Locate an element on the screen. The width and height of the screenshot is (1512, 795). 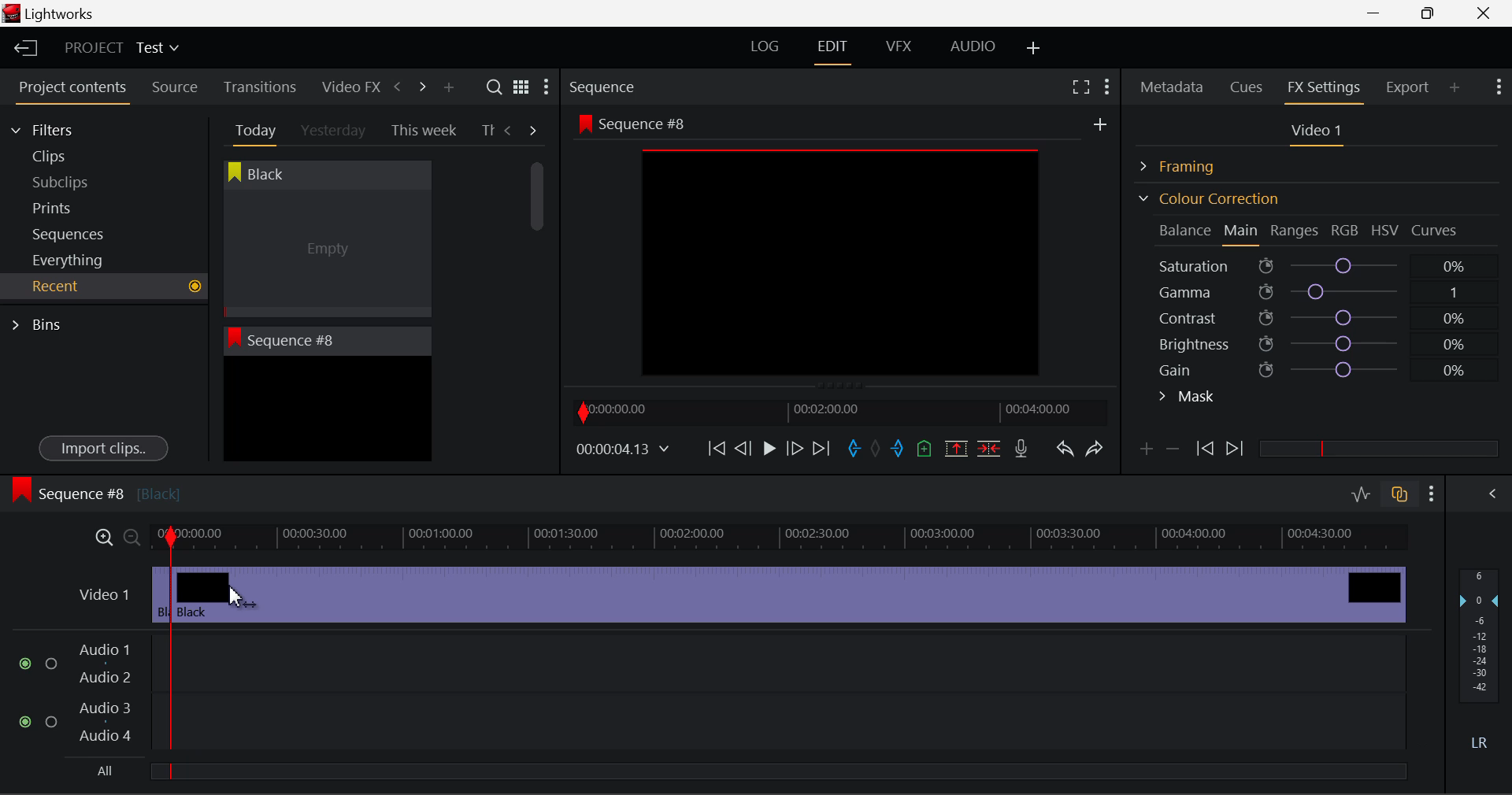
Search is located at coordinates (496, 87).